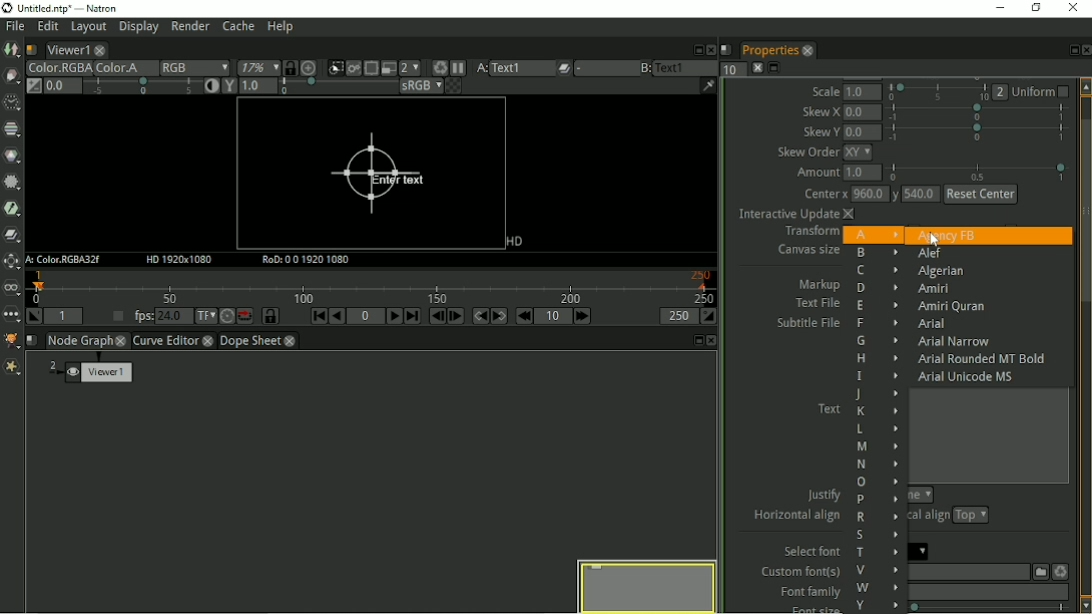  I want to click on Viewer 1, so click(93, 374).